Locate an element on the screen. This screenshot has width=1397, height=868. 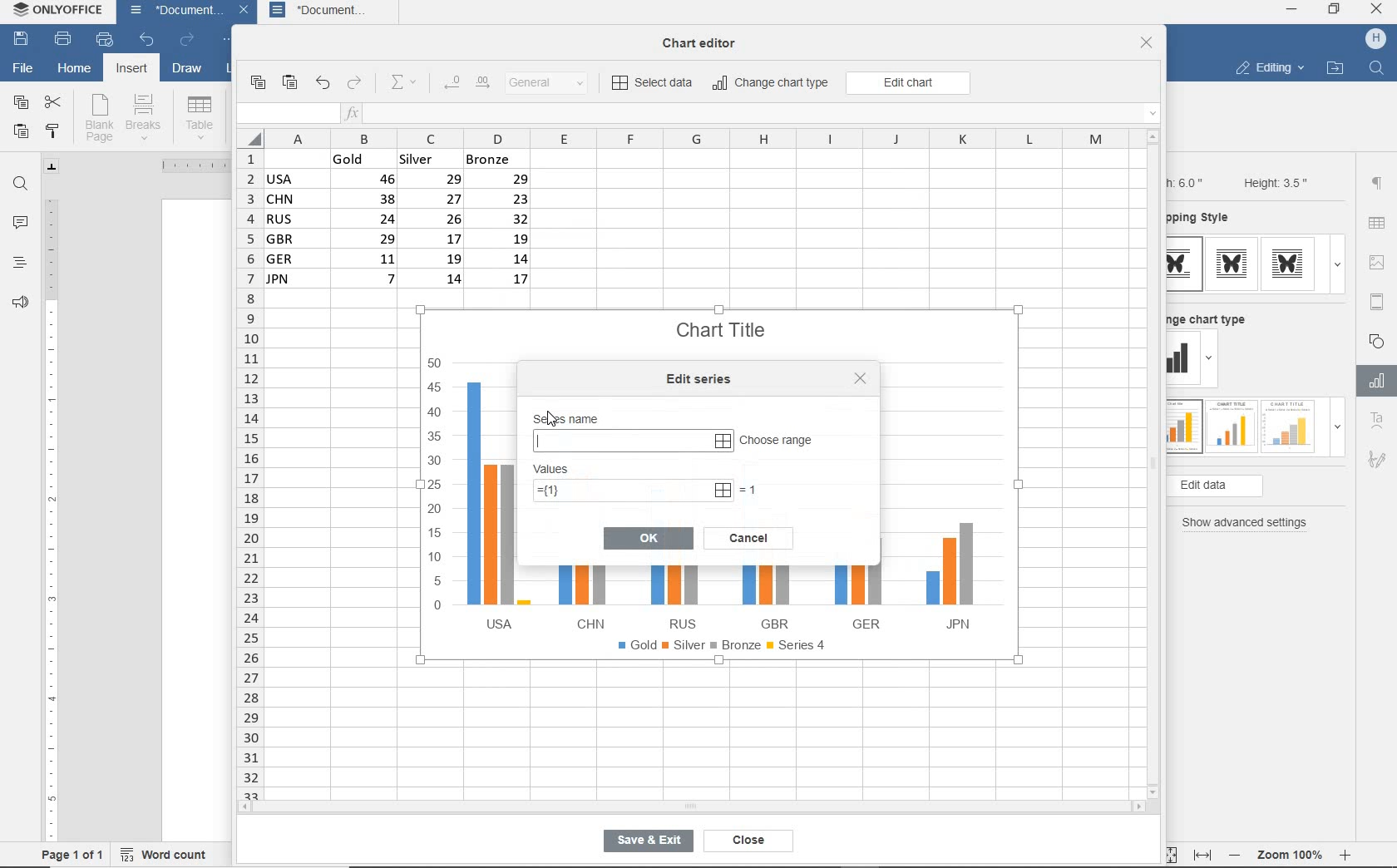
editing is located at coordinates (1269, 70).